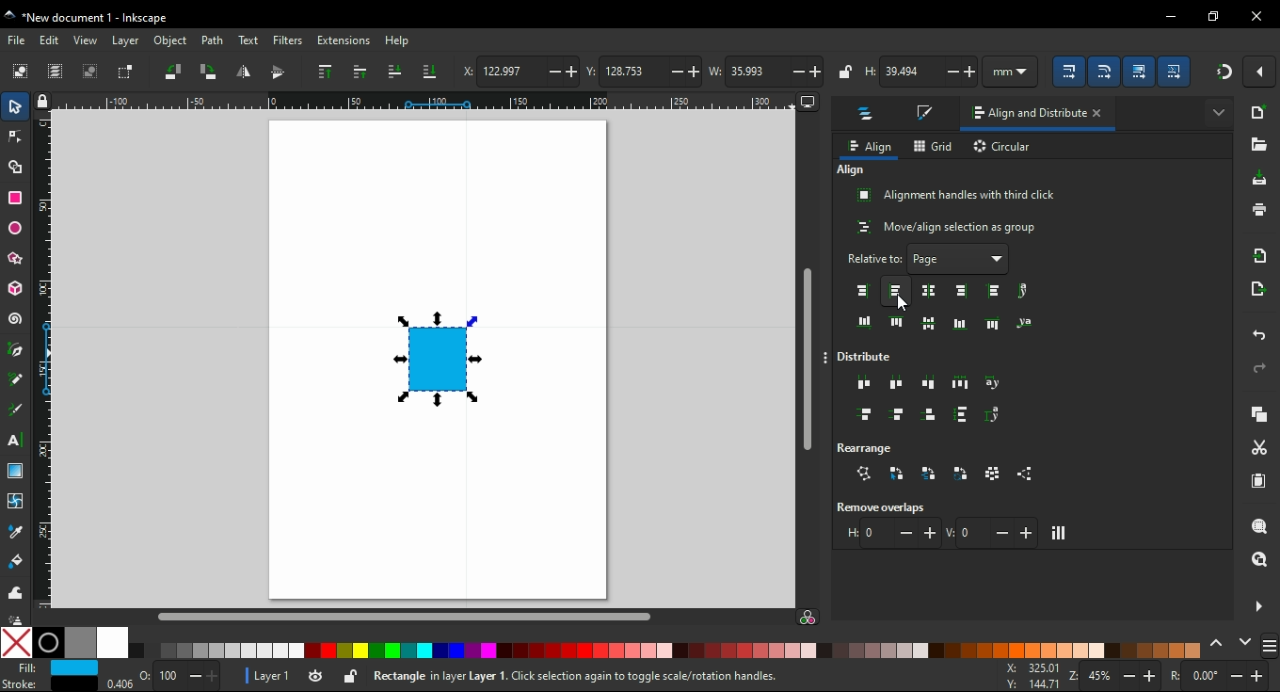 This screenshot has width=1280, height=692. What do you see at coordinates (288, 42) in the screenshot?
I see `filters` at bounding box center [288, 42].